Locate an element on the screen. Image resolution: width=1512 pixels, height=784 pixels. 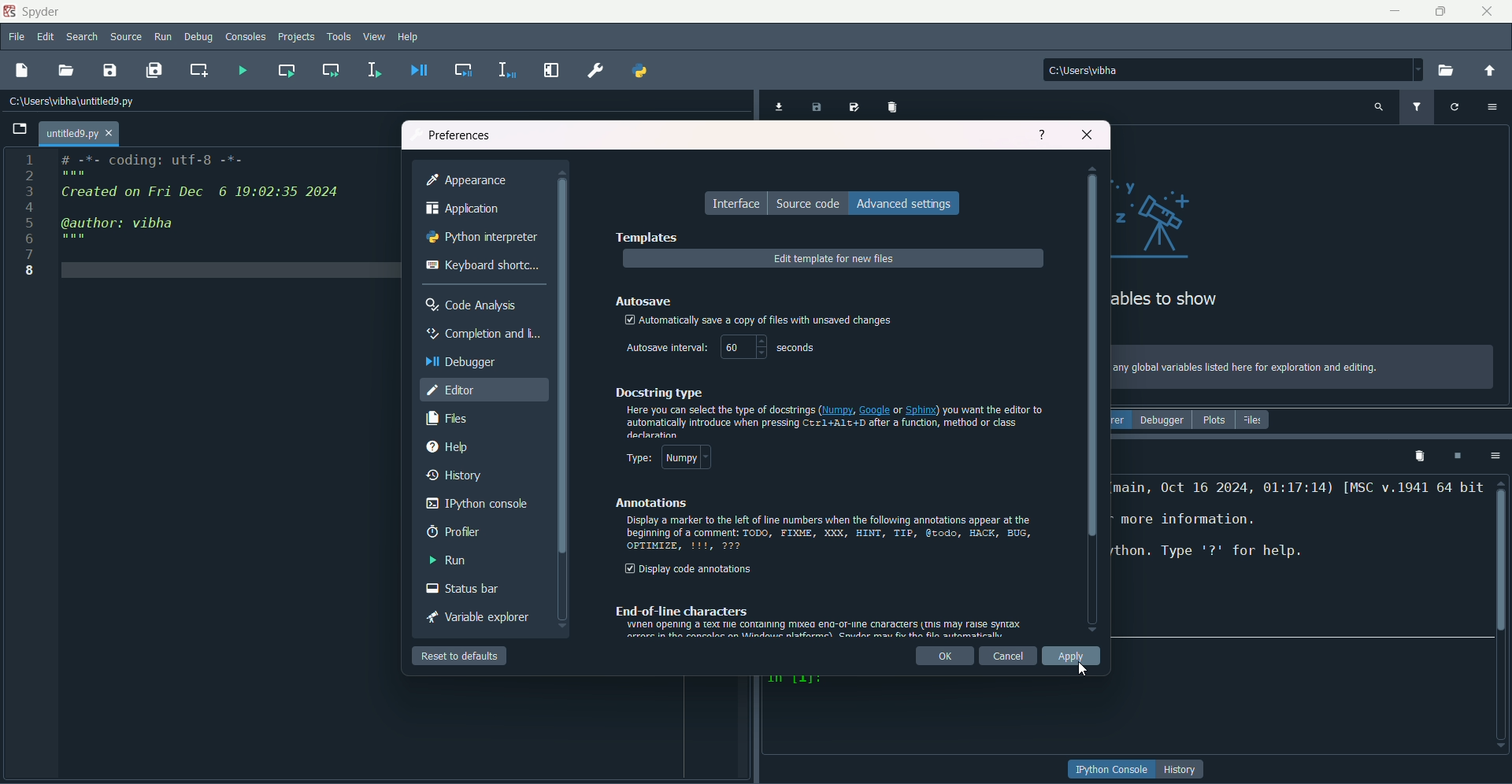
apply is located at coordinates (1073, 657).